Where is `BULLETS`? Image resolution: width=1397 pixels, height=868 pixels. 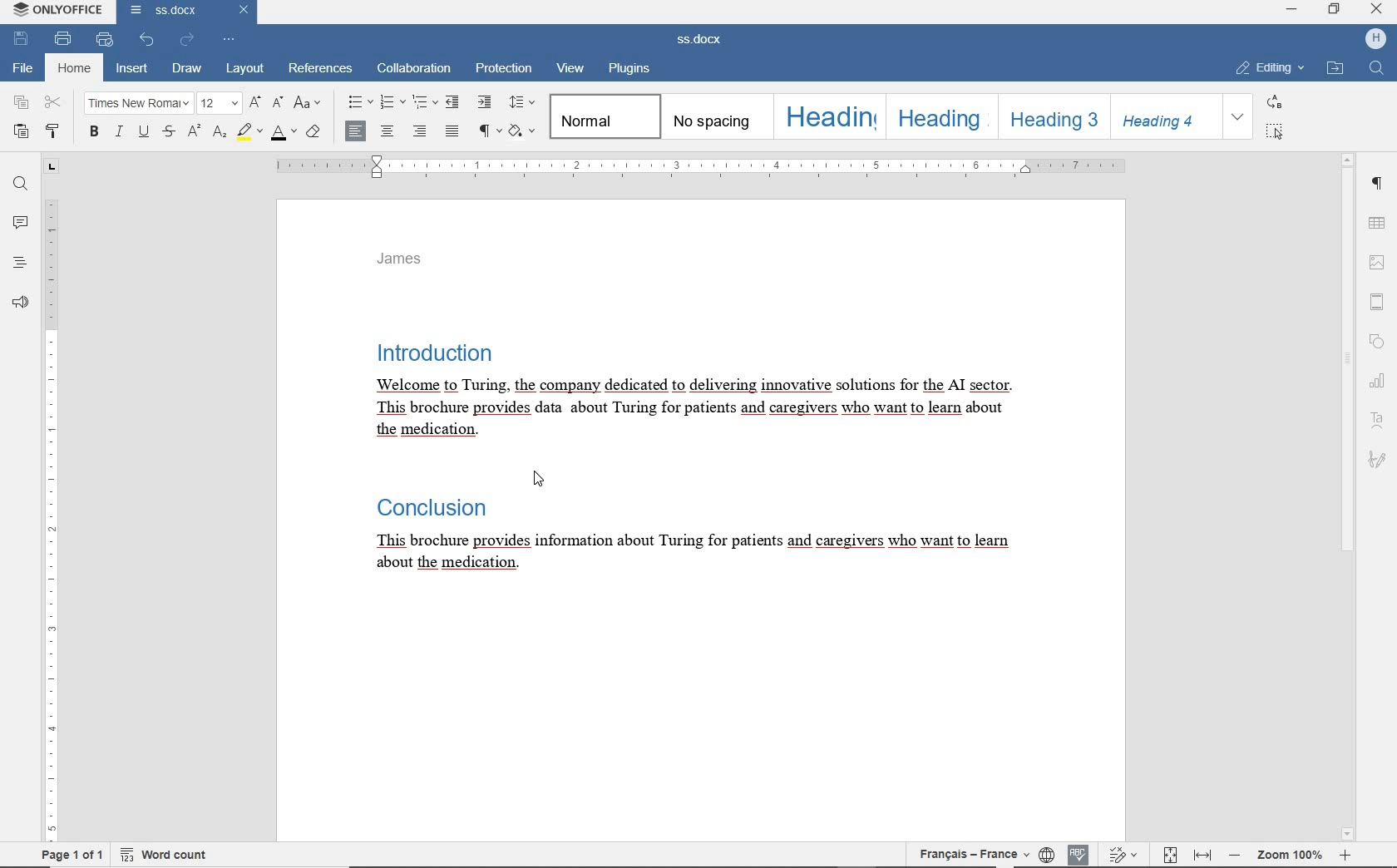
BULLETS is located at coordinates (358, 103).